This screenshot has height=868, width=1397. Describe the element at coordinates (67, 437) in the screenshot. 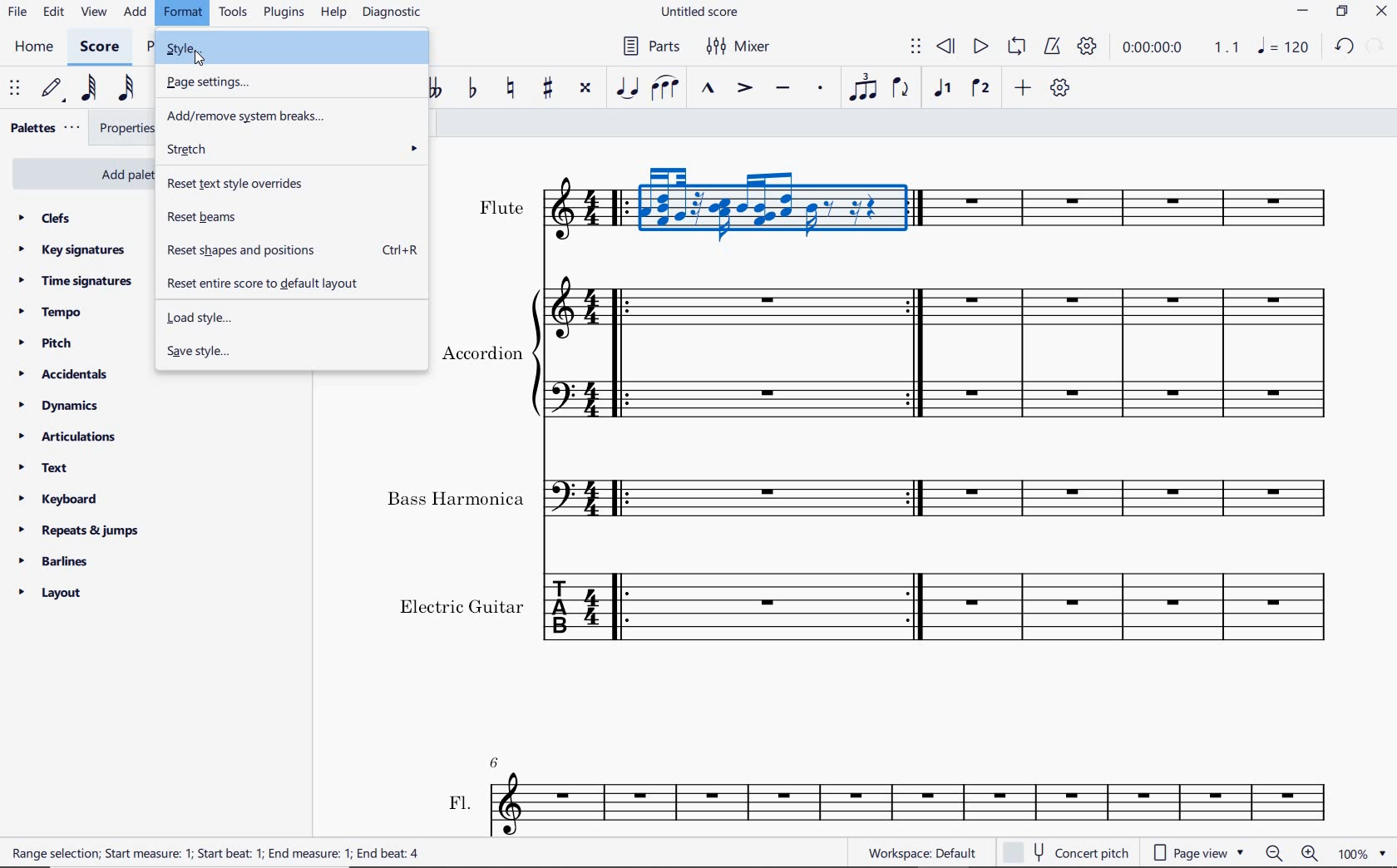

I see `articulations` at that location.